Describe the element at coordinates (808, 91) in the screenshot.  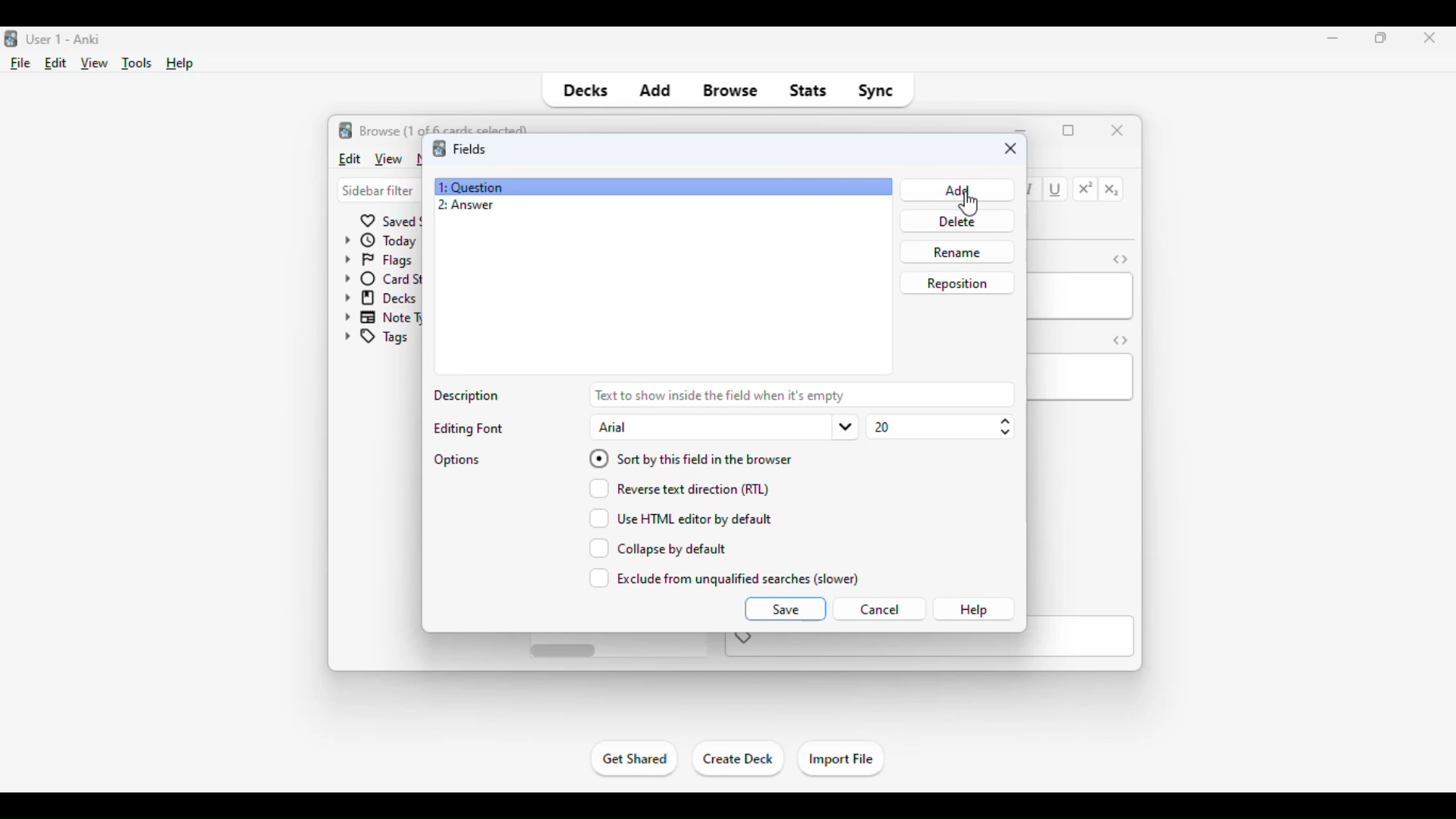
I see `stats` at that location.